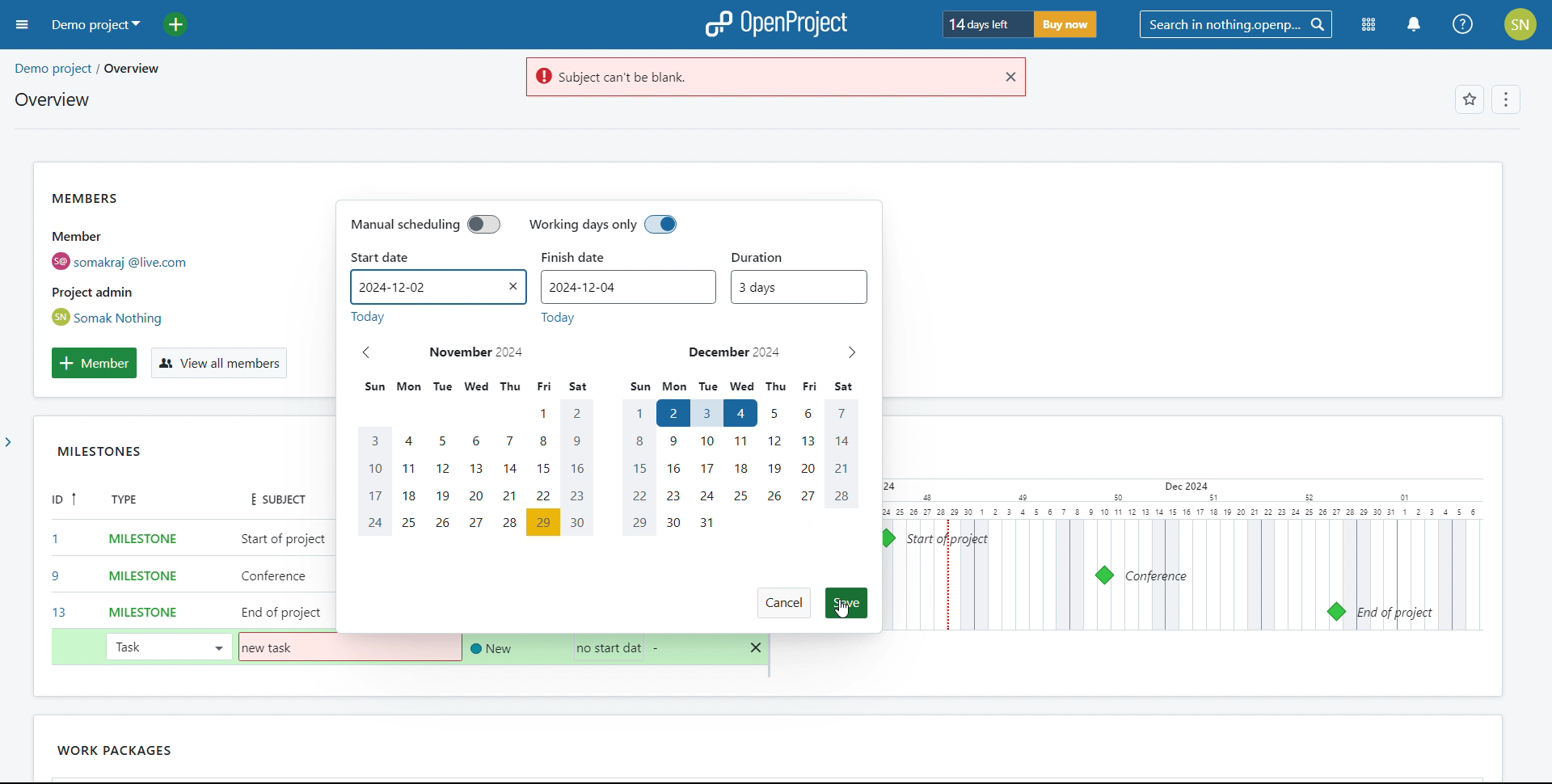  What do you see at coordinates (367, 352) in the screenshot?
I see `previous month` at bounding box center [367, 352].